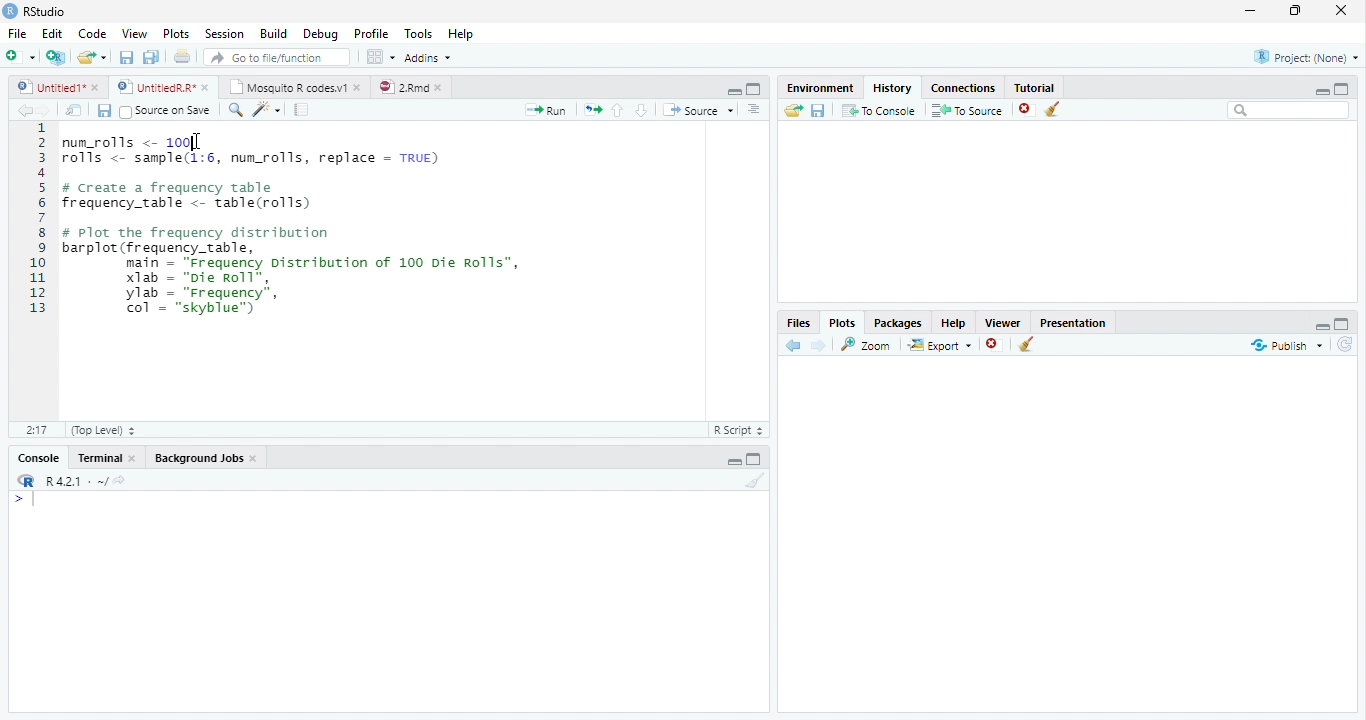  I want to click on | Mosquito R codesv1, so click(294, 87).